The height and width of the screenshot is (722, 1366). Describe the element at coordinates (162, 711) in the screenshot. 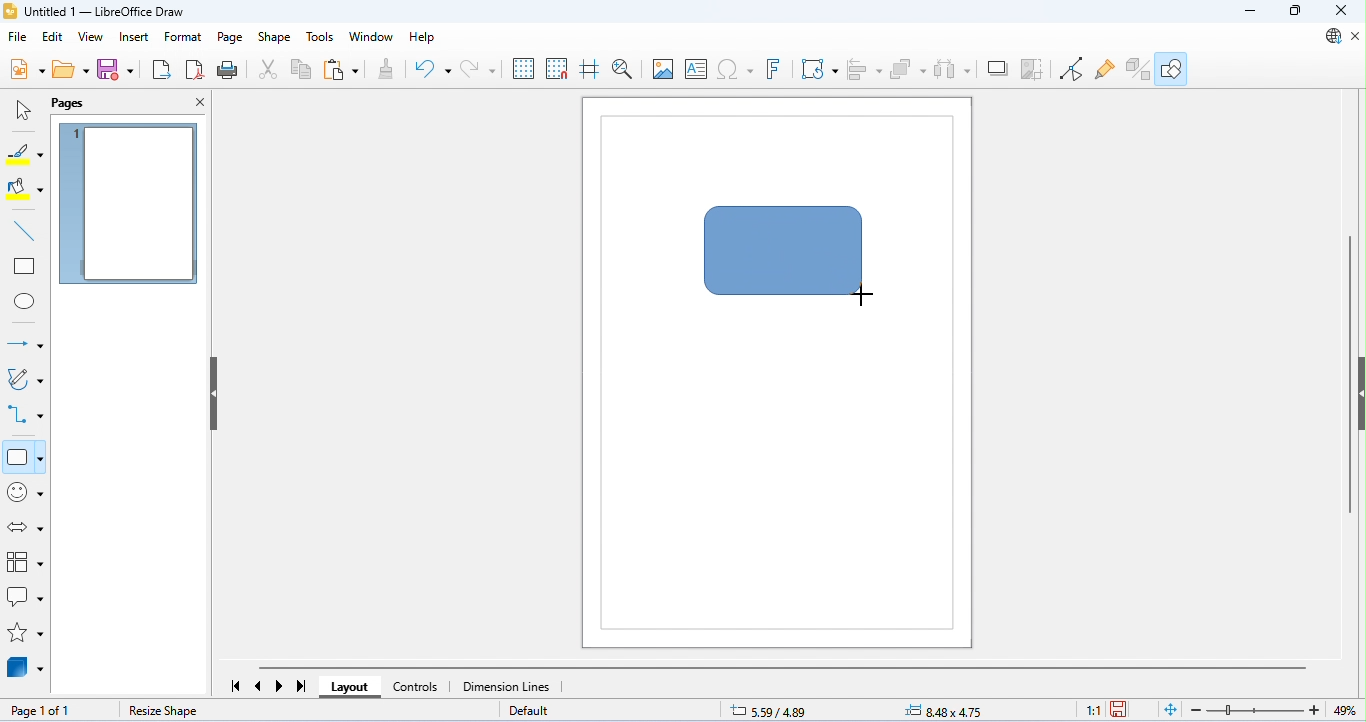

I see `resize shape` at that location.